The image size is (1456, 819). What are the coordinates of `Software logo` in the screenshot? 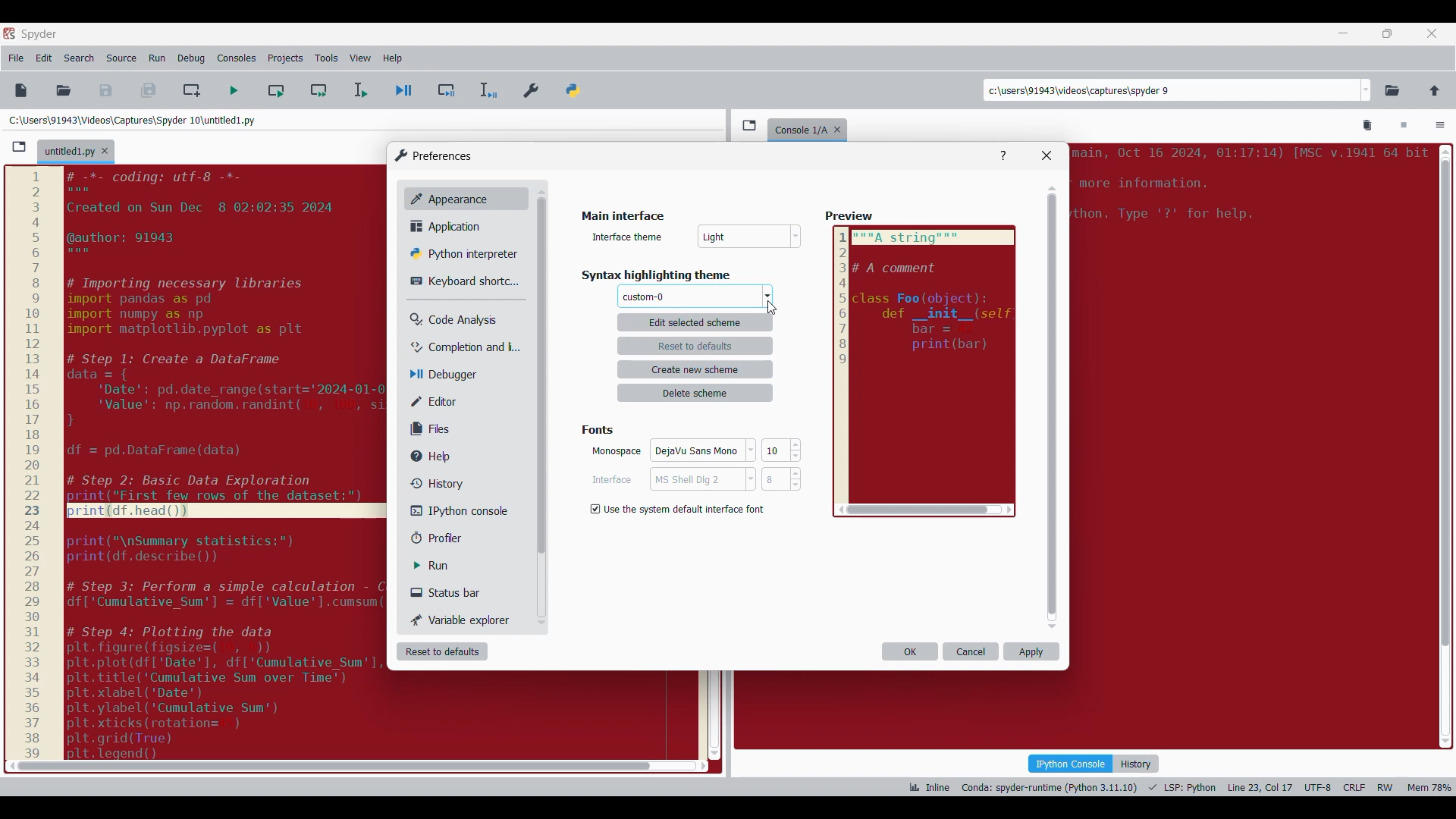 It's located at (9, 33).